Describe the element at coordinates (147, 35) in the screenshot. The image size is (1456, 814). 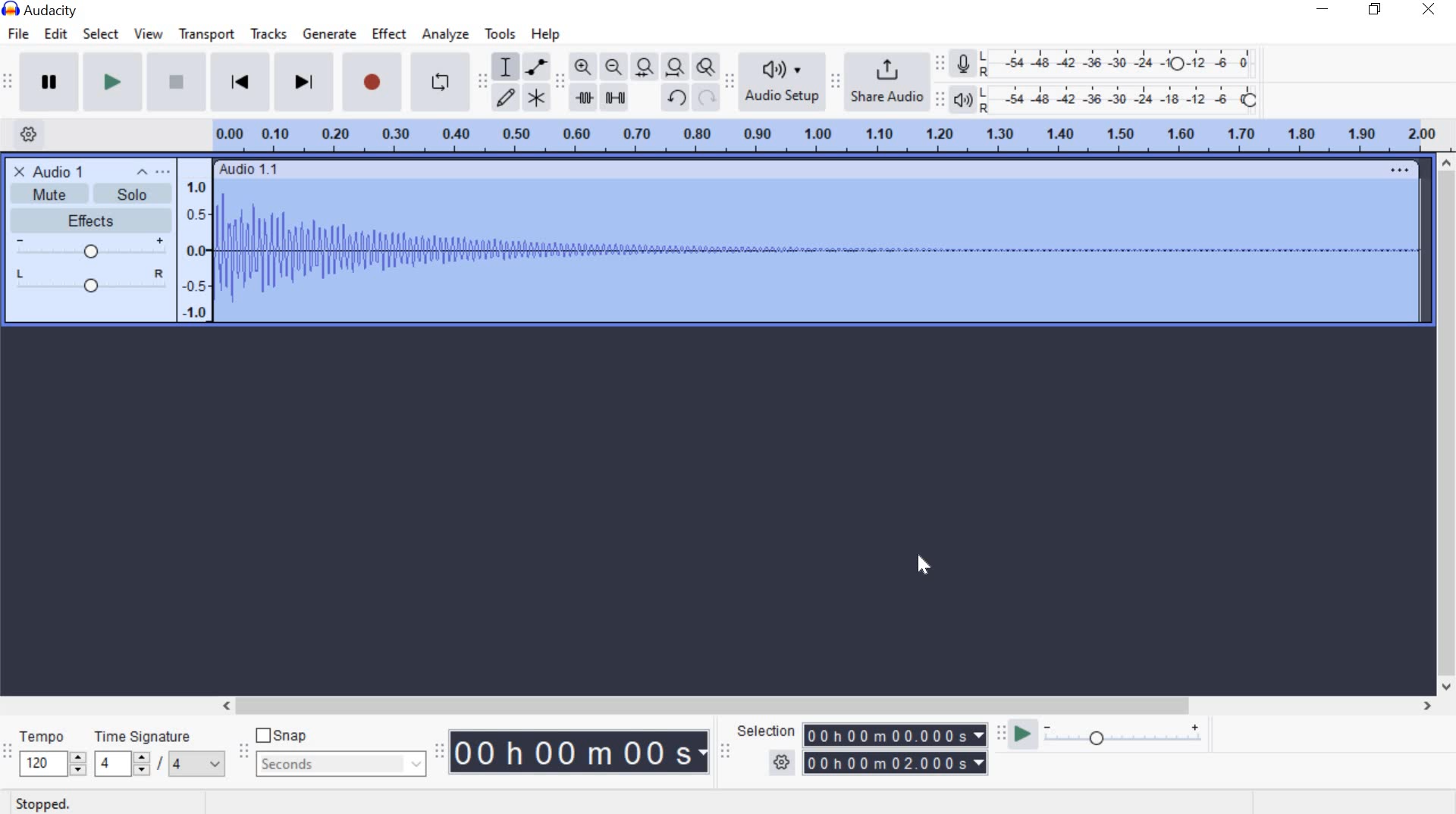
I see `view` at that location.